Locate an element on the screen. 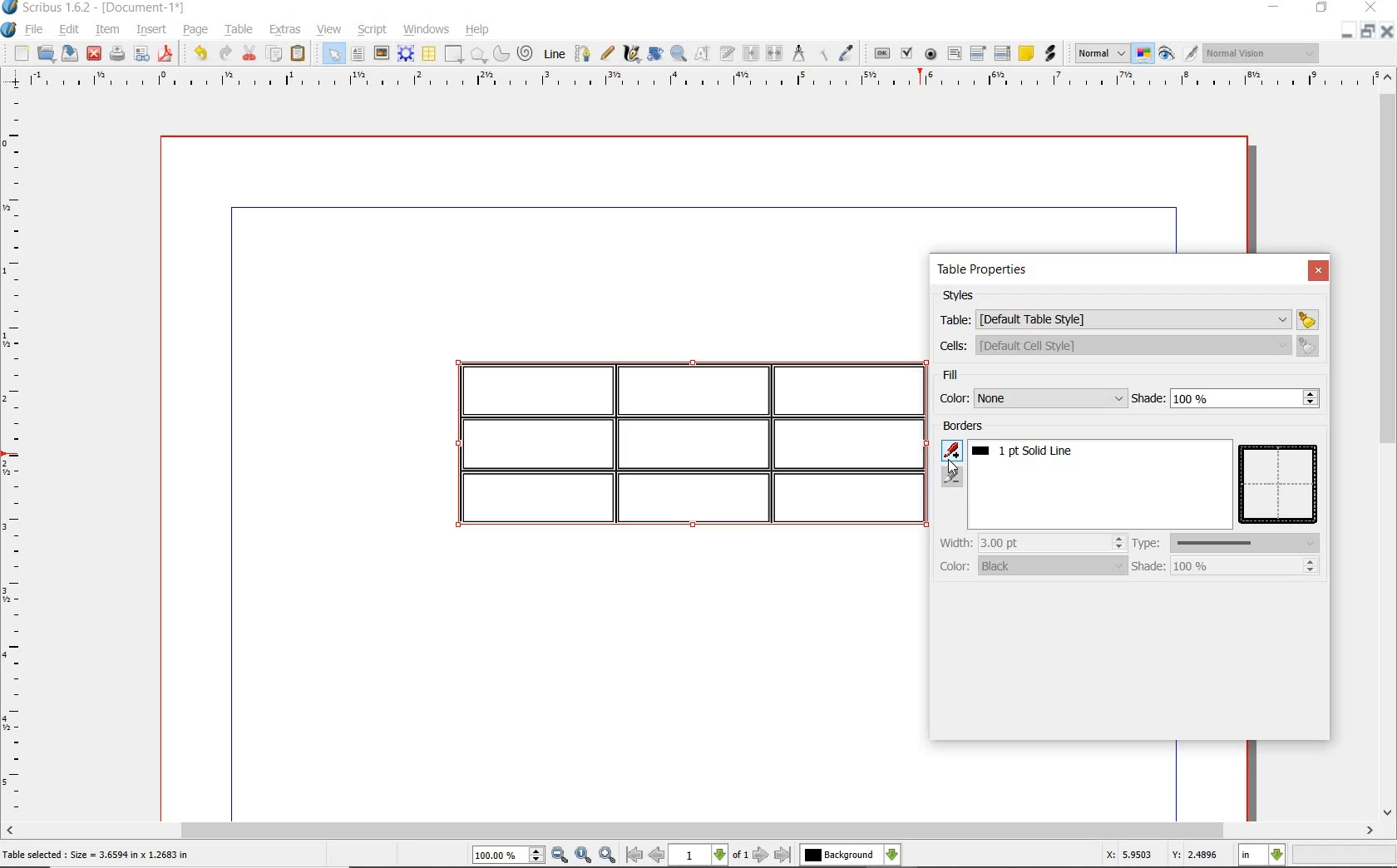 This screenshot has width=1397, height=868. view is located at coordinates (329, 29).